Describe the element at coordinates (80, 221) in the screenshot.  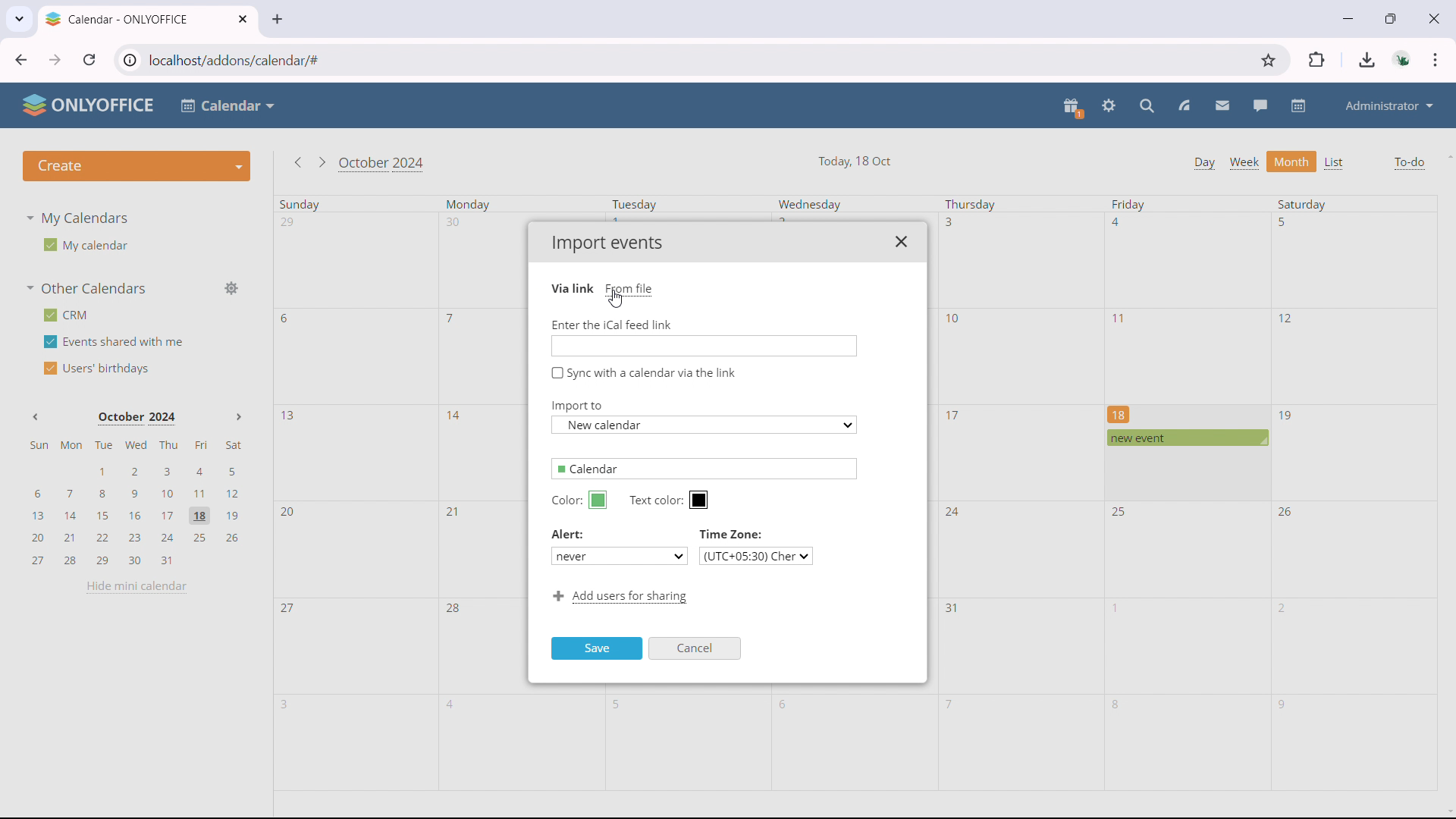
I see `My Calendars` at that location.